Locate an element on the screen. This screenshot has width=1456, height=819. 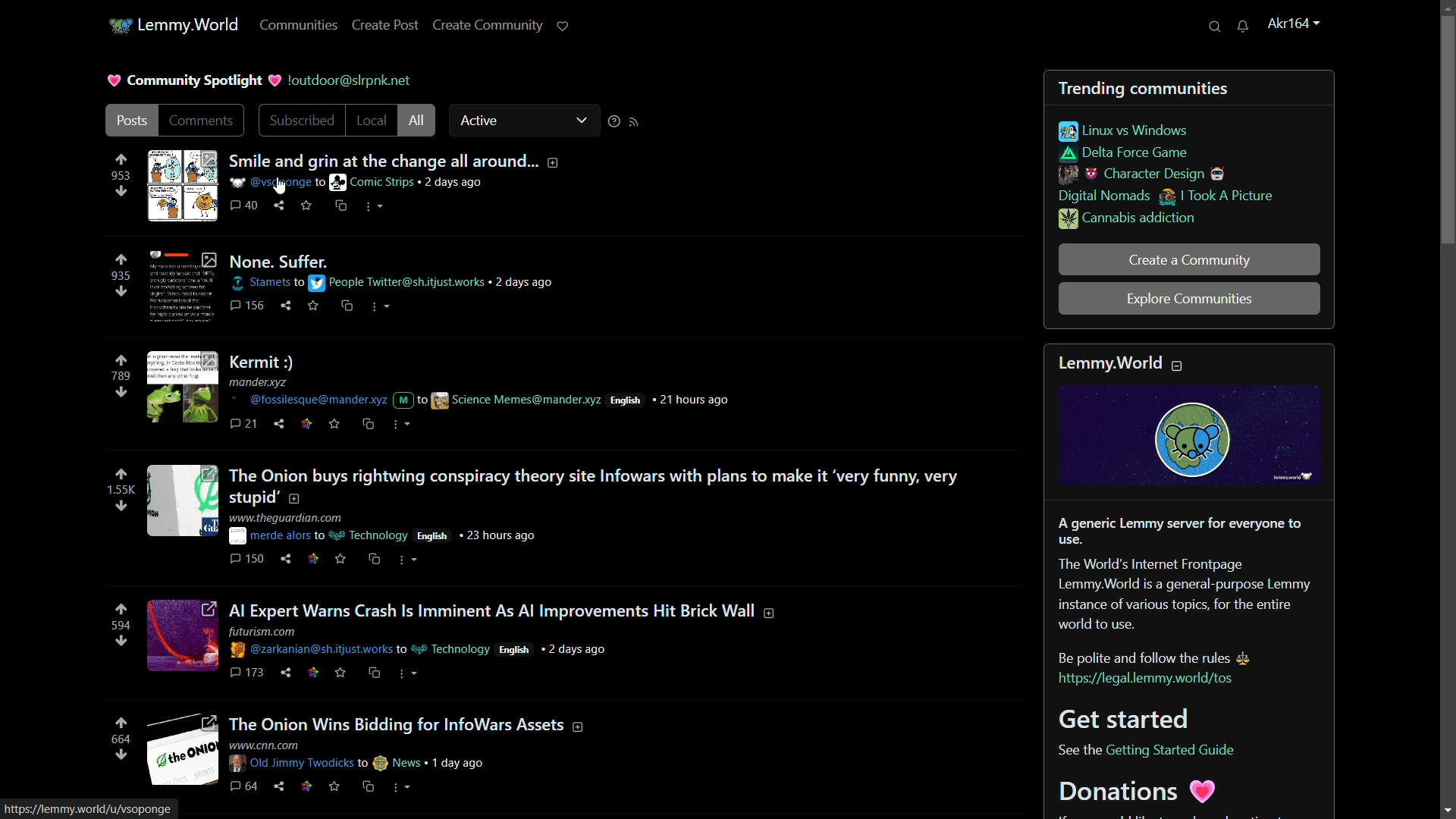
picture is located at coordinates (275, 80).